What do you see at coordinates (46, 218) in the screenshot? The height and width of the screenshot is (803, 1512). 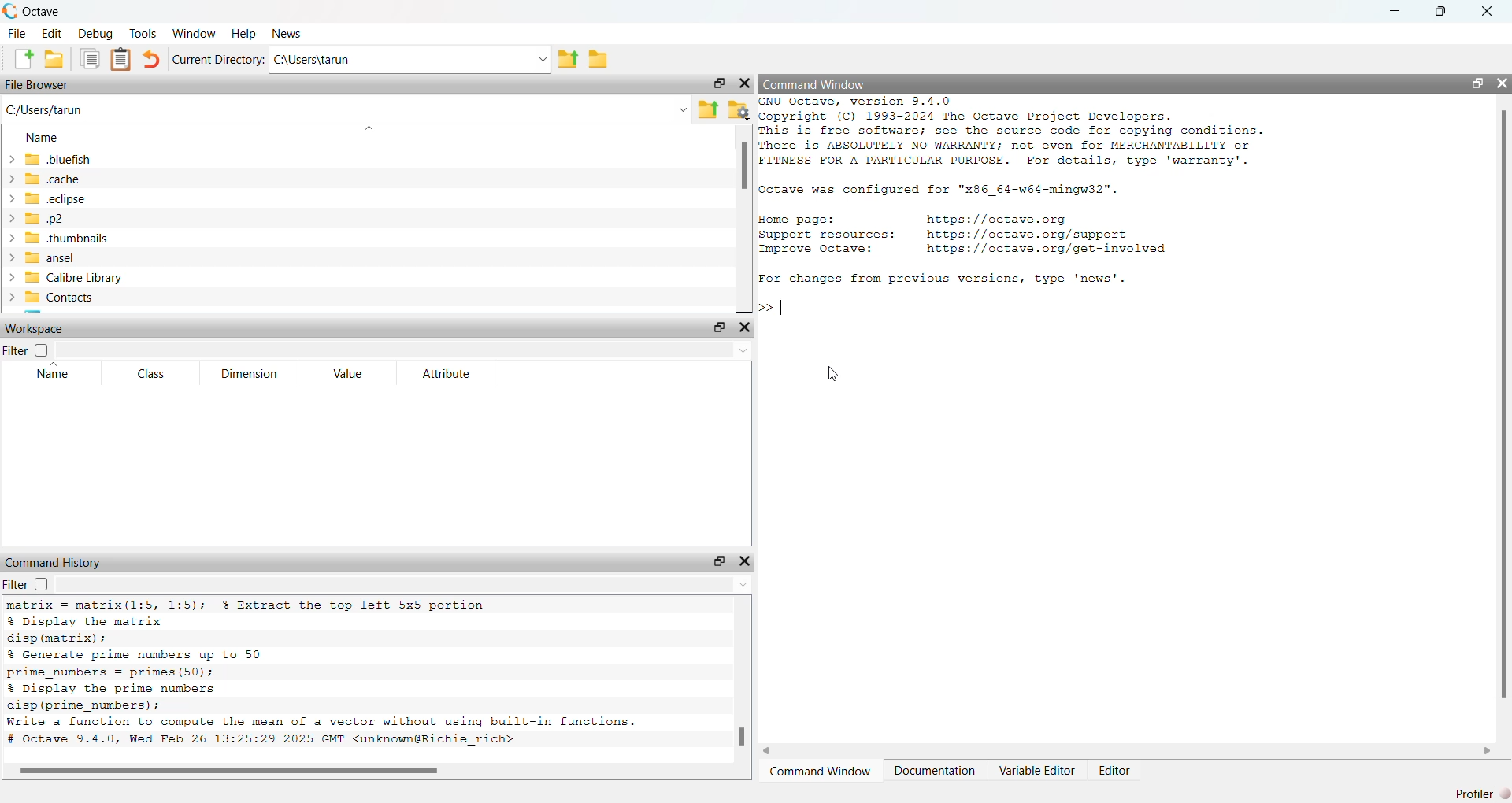 I see `.p2` at bounding box center [46, 218].